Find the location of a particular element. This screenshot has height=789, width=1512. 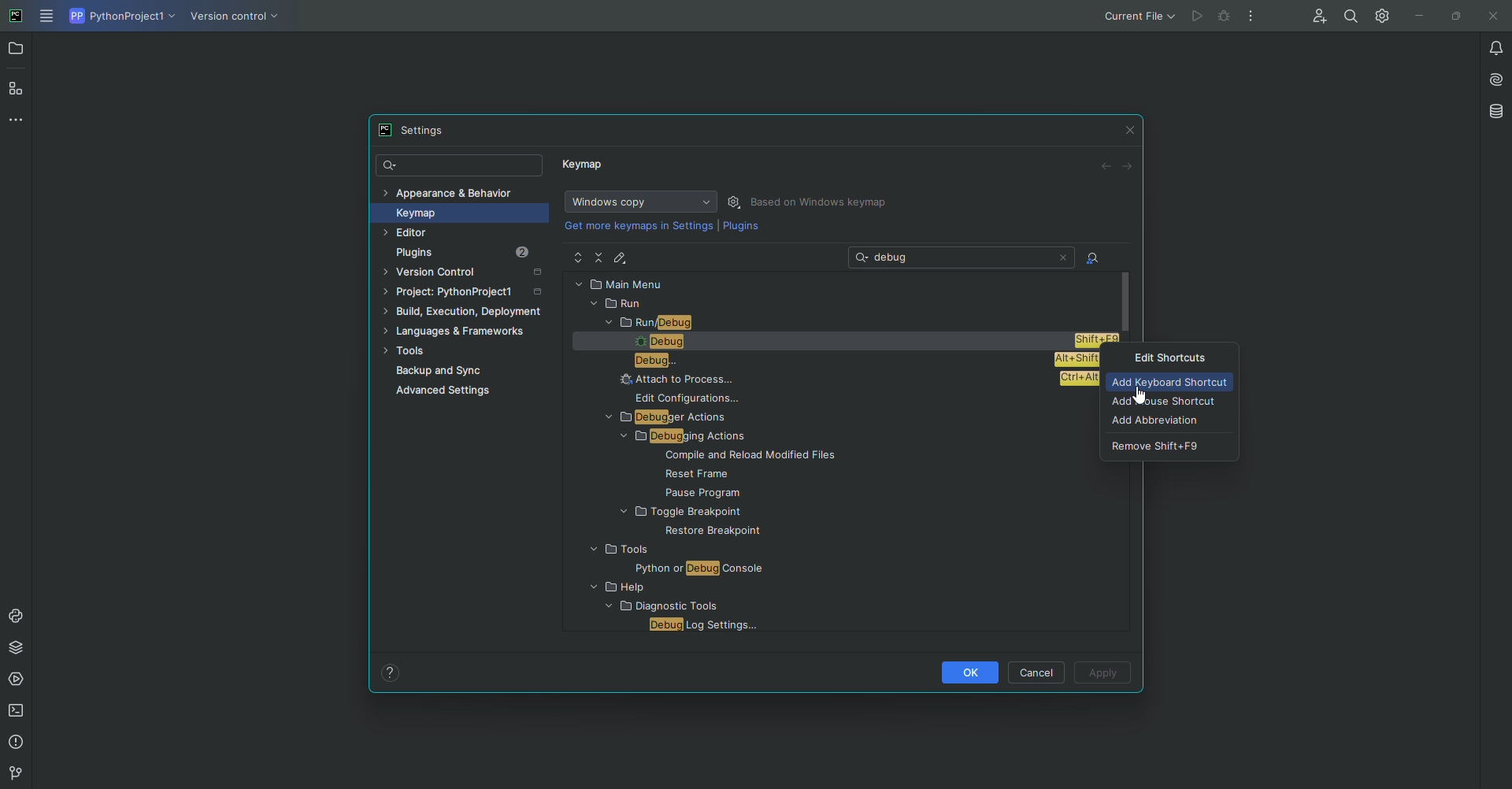

FILE NAME is located at coordinates (698, 532).